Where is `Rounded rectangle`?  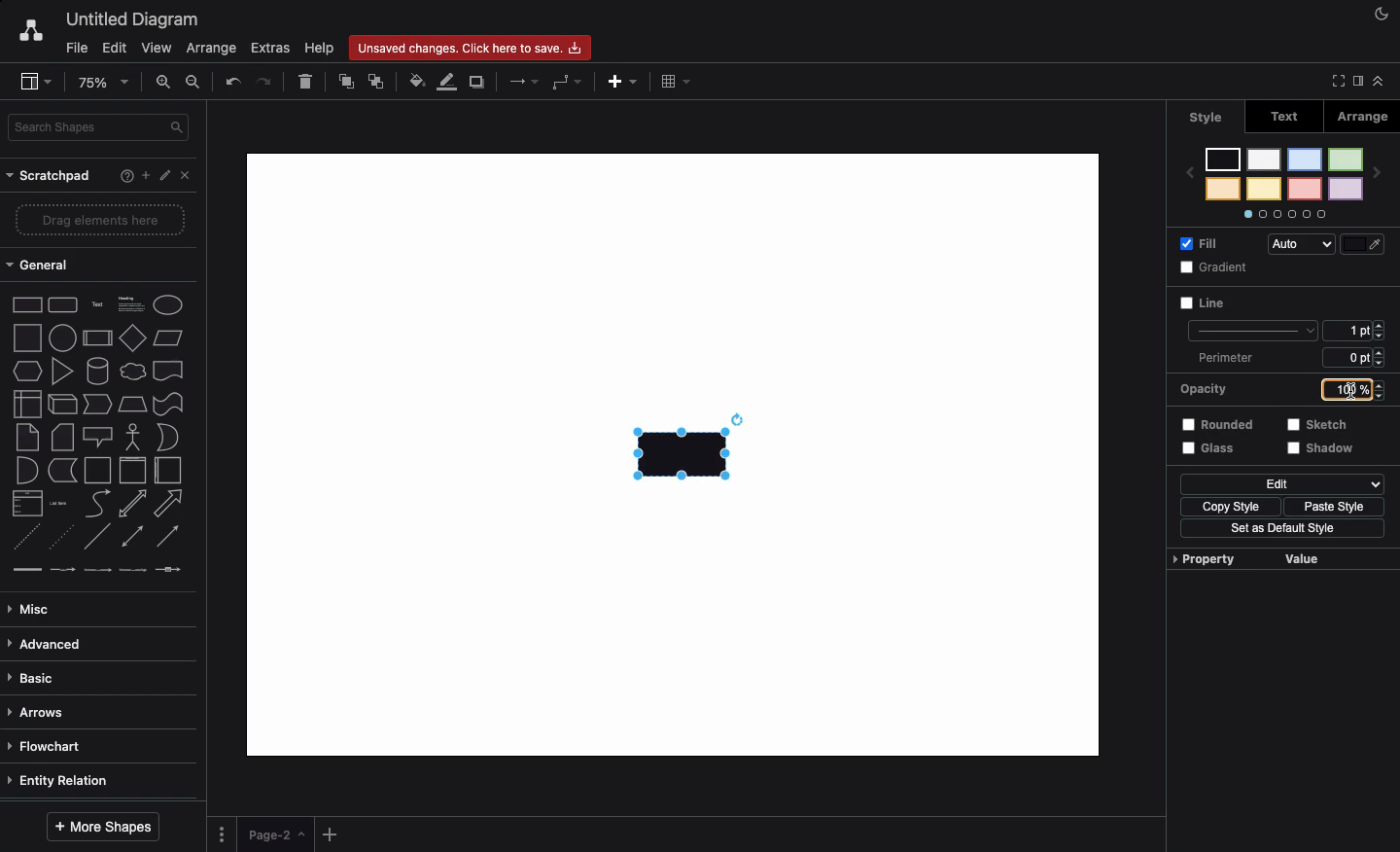
Rounded rectangle is located at coordinates (65, 306).